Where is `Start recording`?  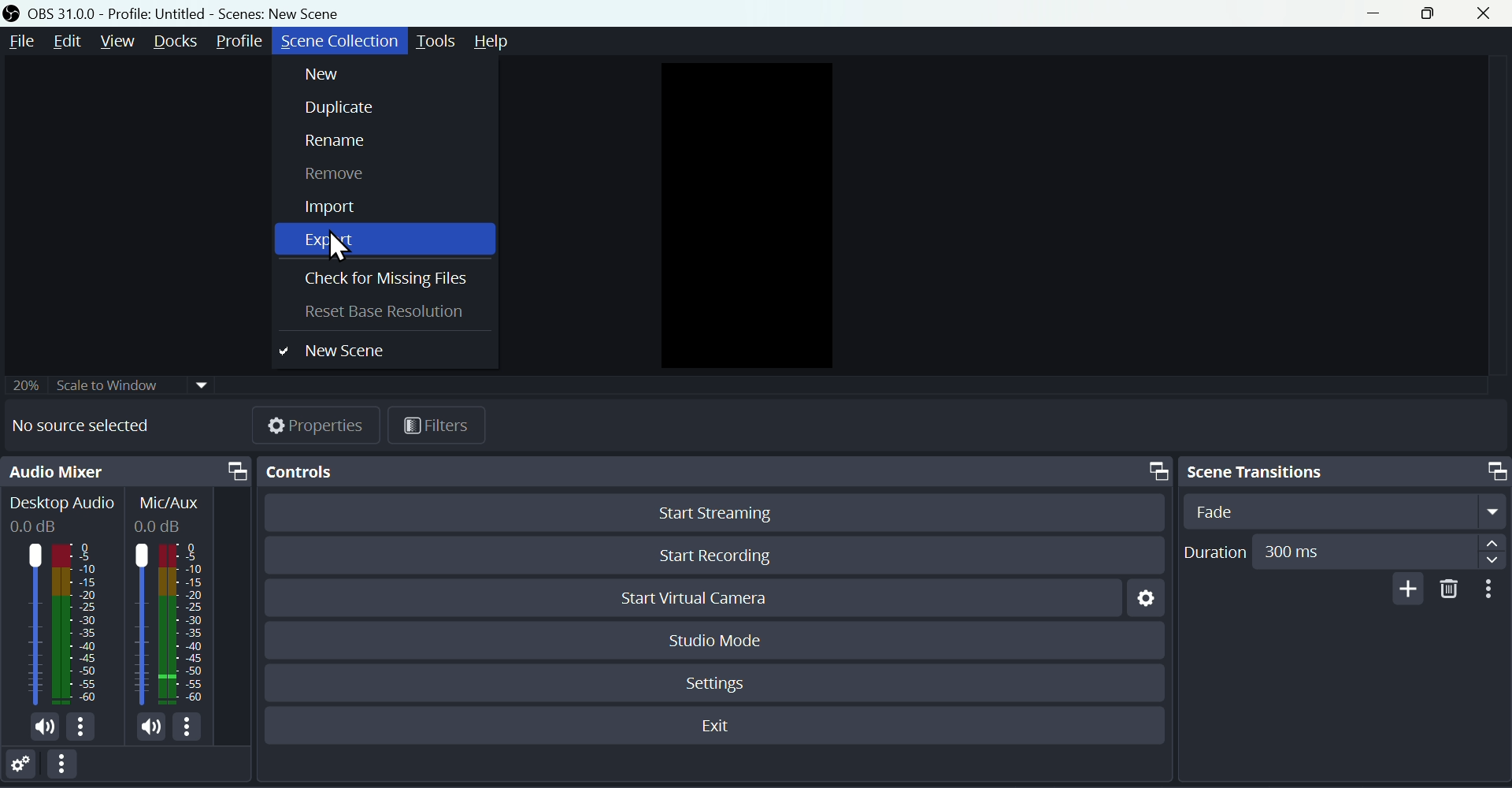 Start recording is located at coordinates (717, 552).